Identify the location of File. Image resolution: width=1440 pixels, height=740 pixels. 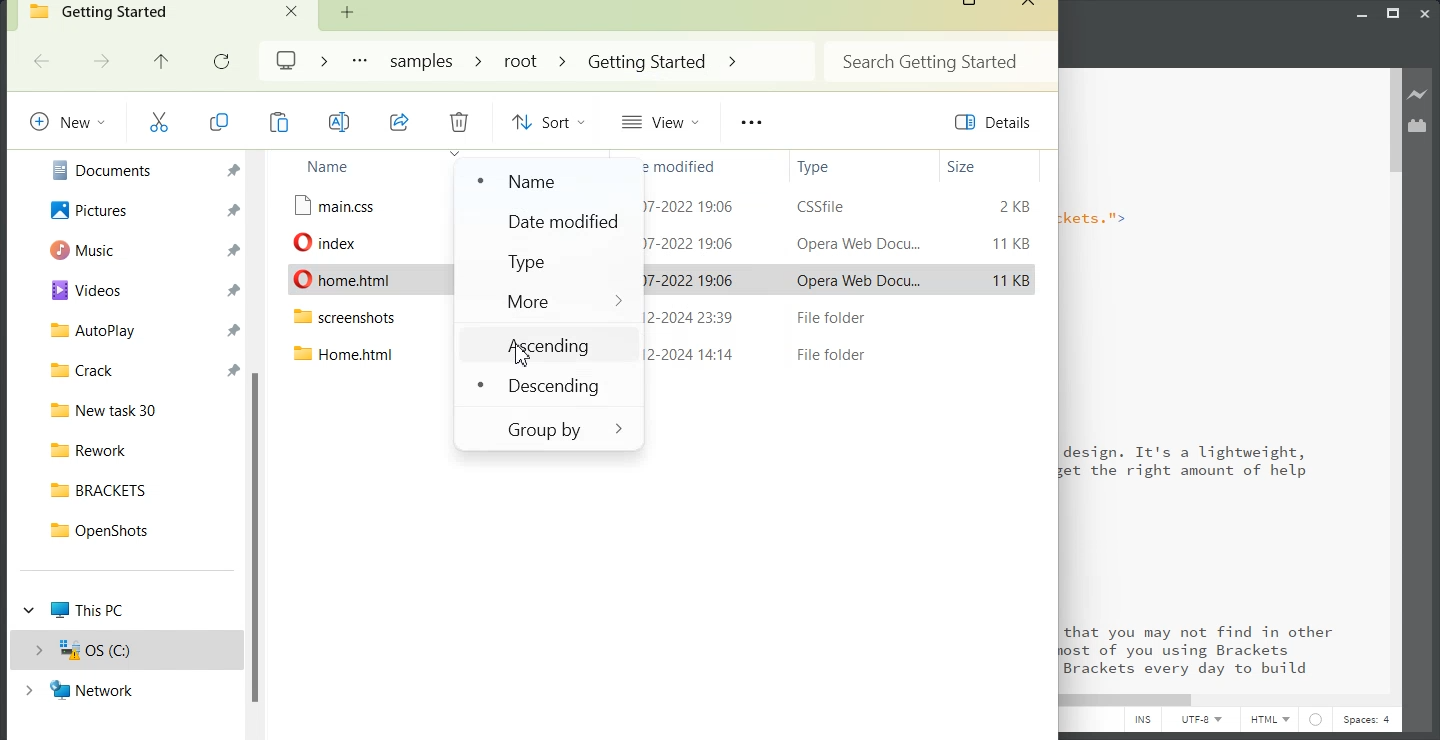
(355, 206).